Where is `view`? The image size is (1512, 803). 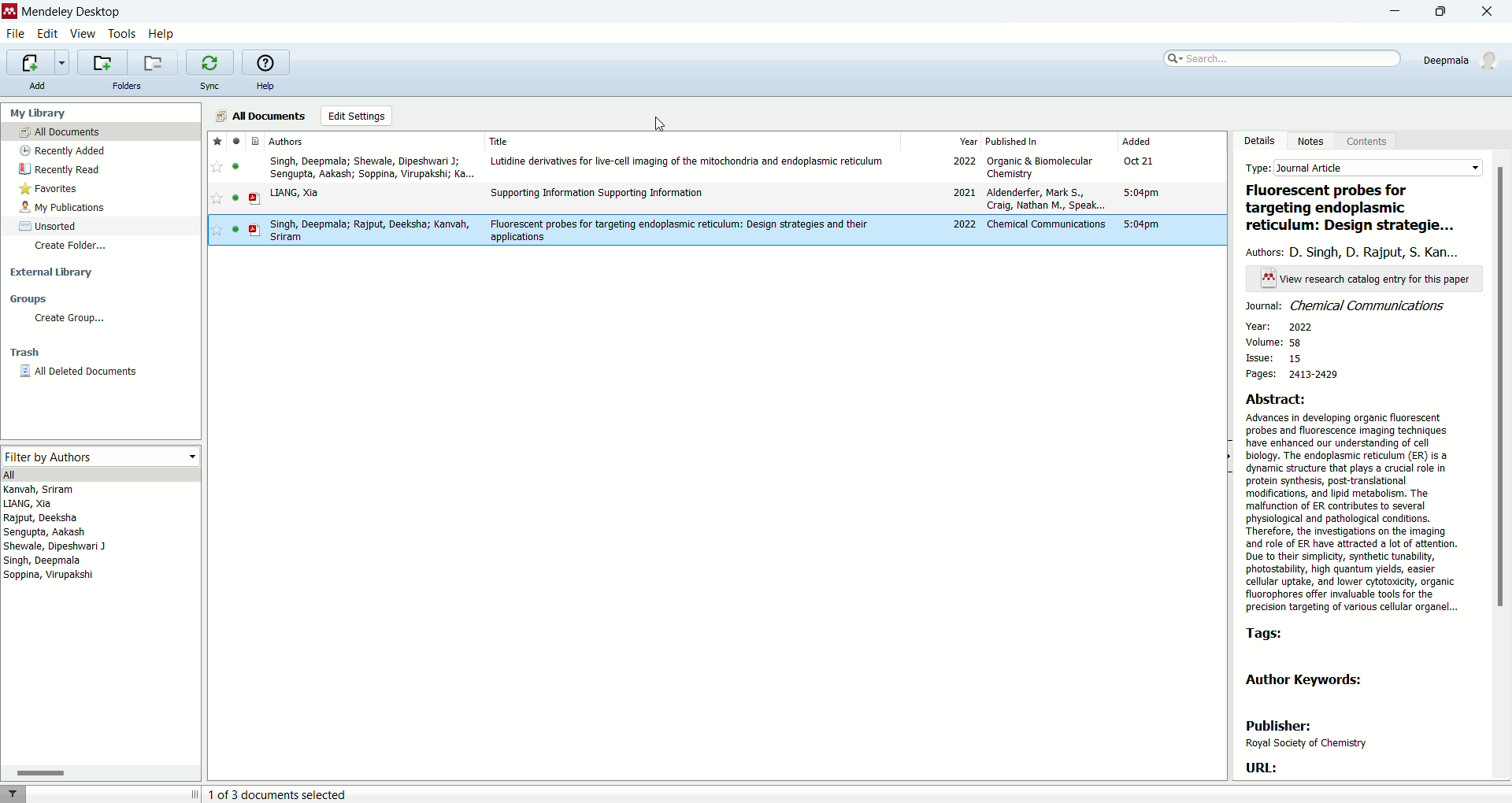 view is located at coordinates (84, 32).